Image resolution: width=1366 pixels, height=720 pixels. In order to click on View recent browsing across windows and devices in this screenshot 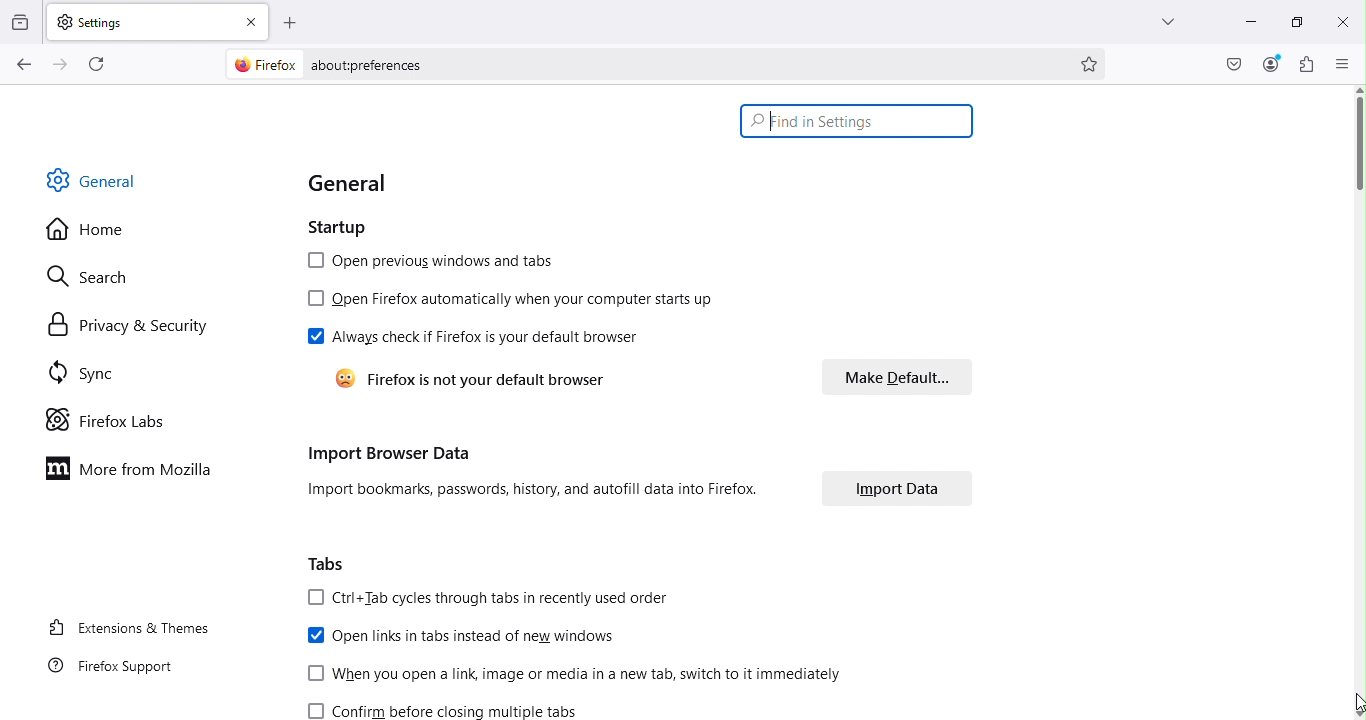, I will do `click(21, 18)`.